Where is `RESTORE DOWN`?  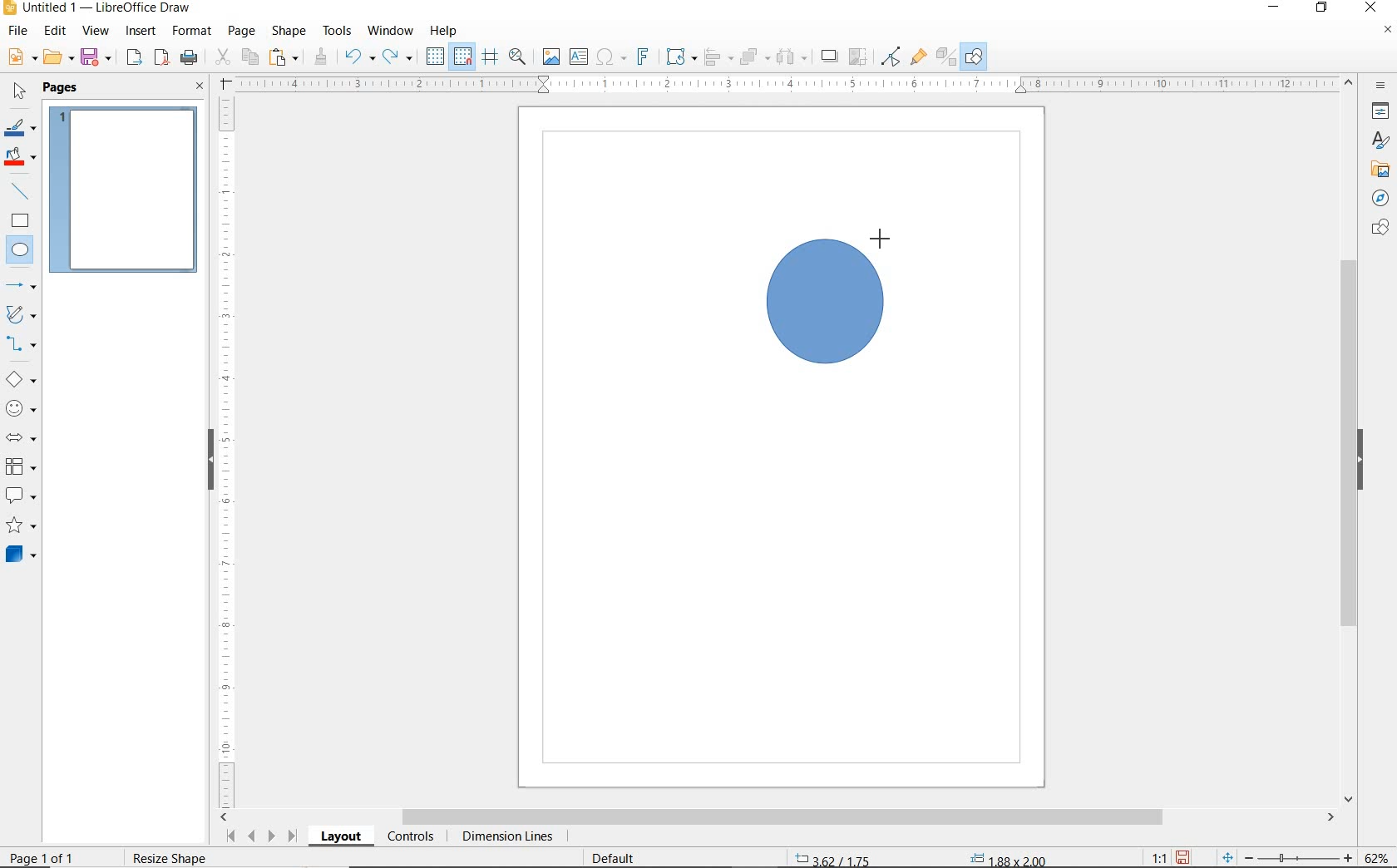 RESTORE DOWN is located at coordinates (1322, 8).